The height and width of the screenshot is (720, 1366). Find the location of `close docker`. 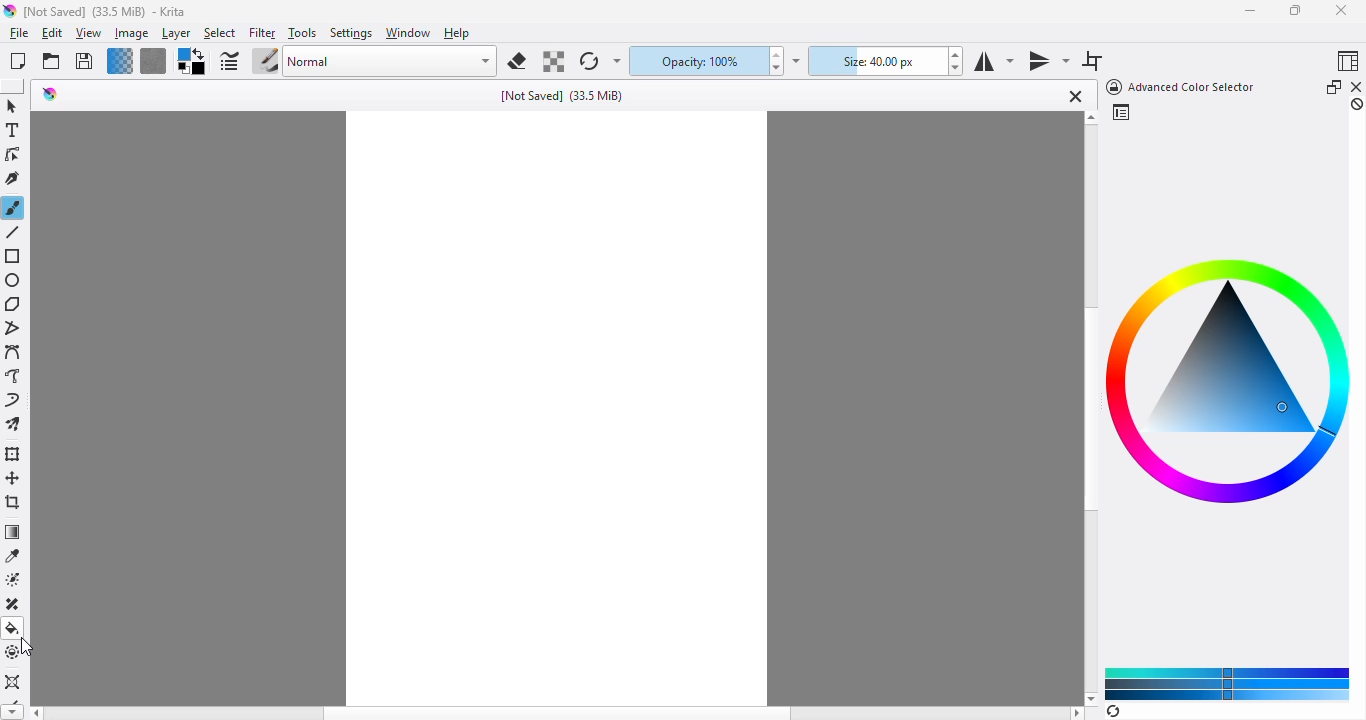

close docker is located at coordinates (1357, 86).